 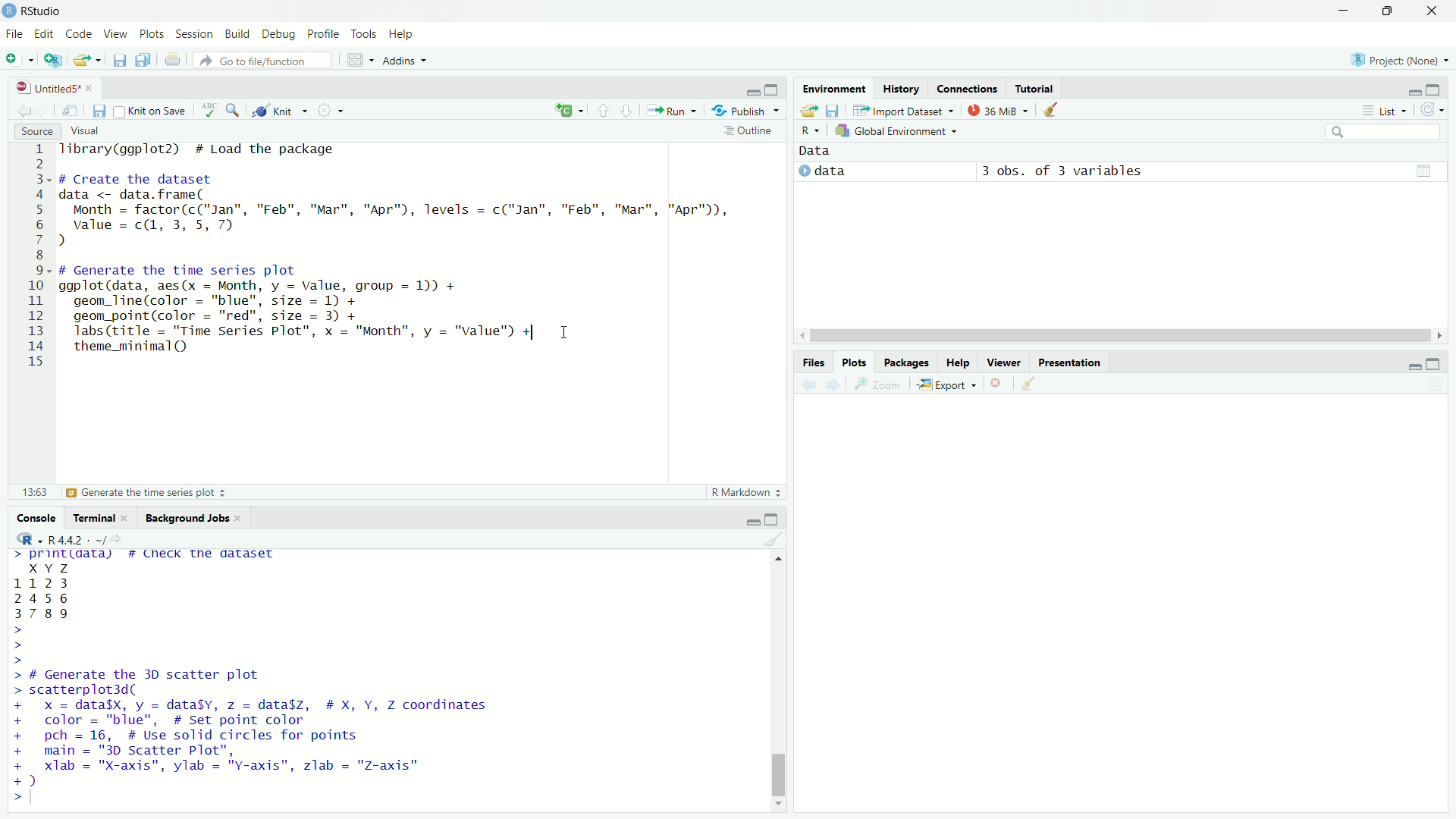 What do you see at coordinates (73, 108) in the screenshot?
I see `show in new window` at bounding box center [73, 108].